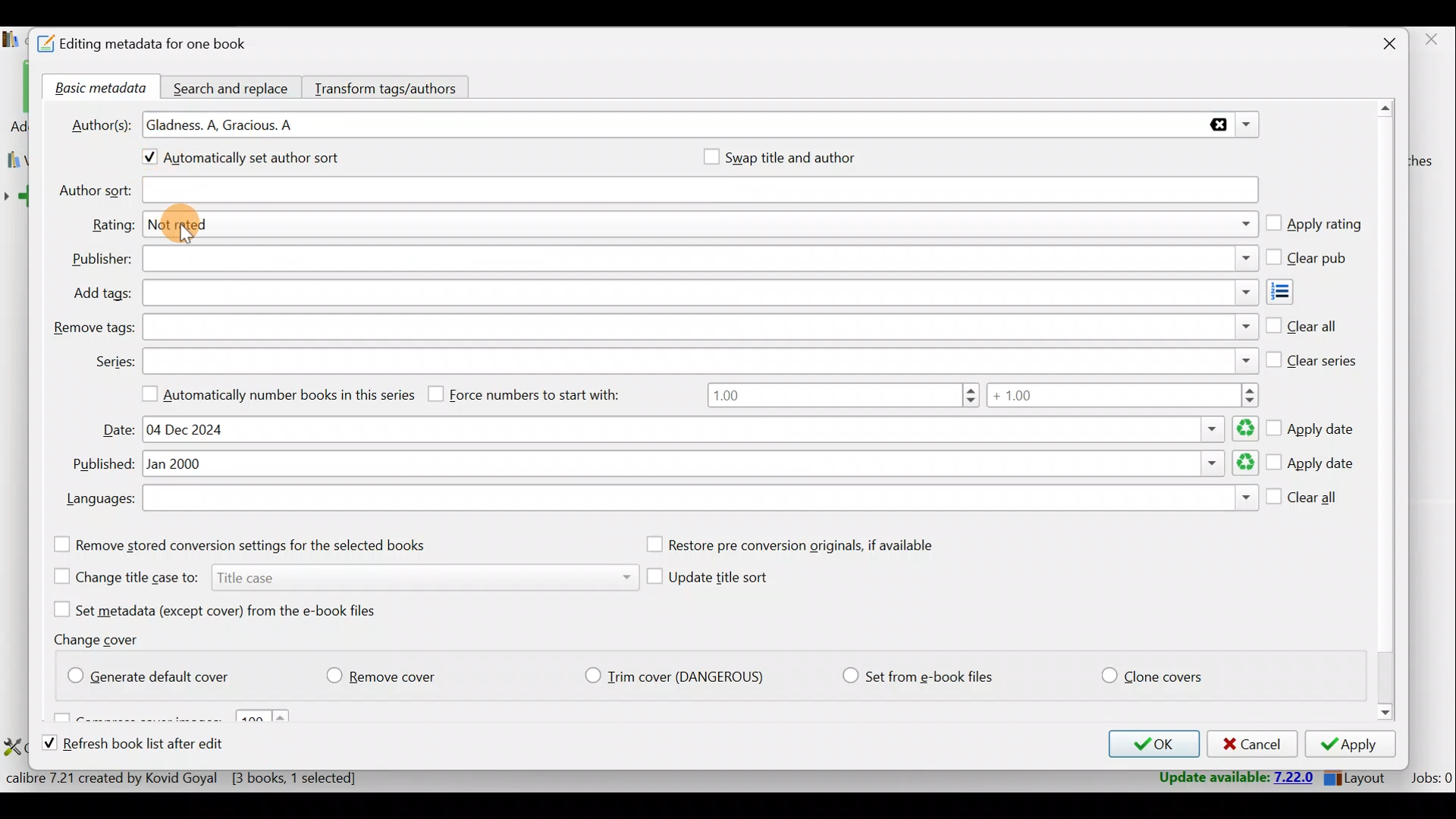  What do you see at coordinates (391, 673) in the screenshot?
I see `Remove cover` at bounding box center [391, 673].